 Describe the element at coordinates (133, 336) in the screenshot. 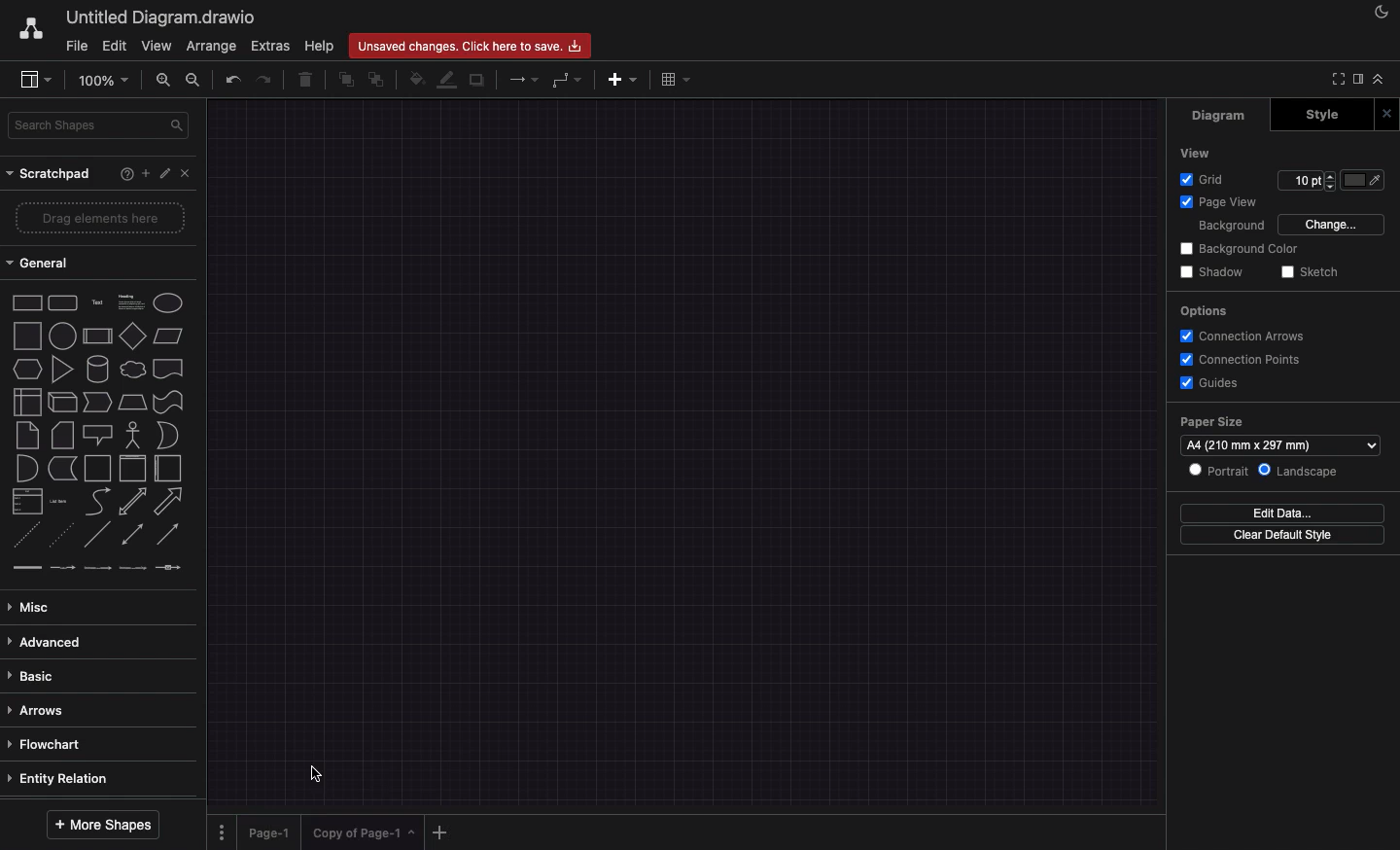

I see `diamond` at that location.